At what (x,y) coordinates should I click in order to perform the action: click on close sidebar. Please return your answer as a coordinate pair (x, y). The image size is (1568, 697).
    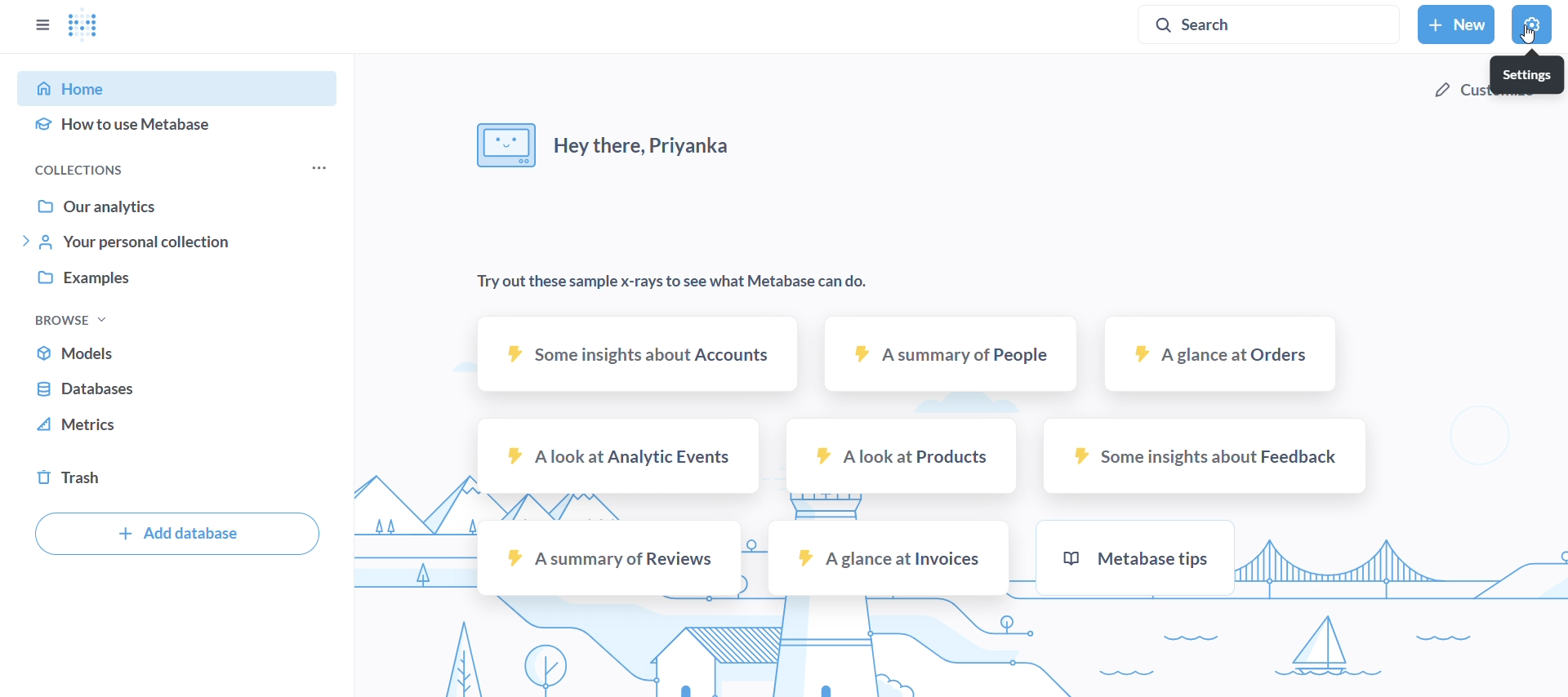
    Looking at the image, I should click on (42, 24).